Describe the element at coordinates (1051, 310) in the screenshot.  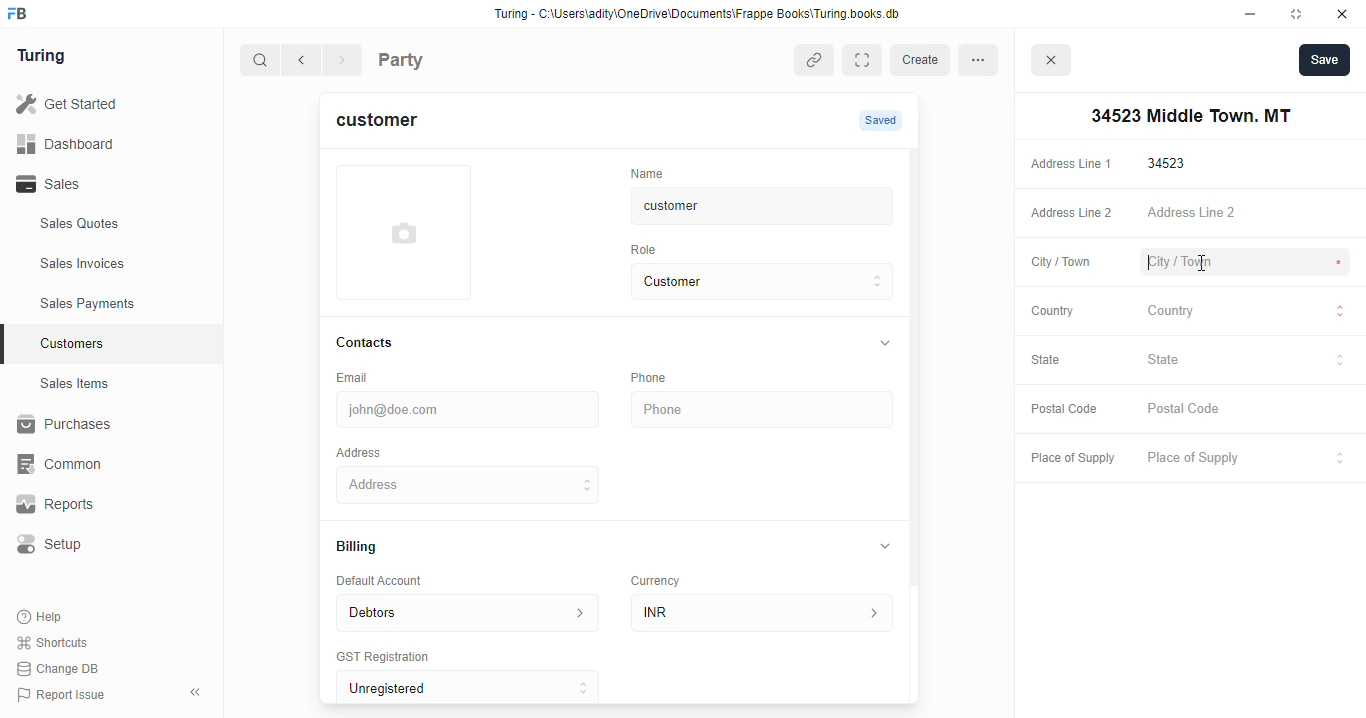
I see `Country` at that location.